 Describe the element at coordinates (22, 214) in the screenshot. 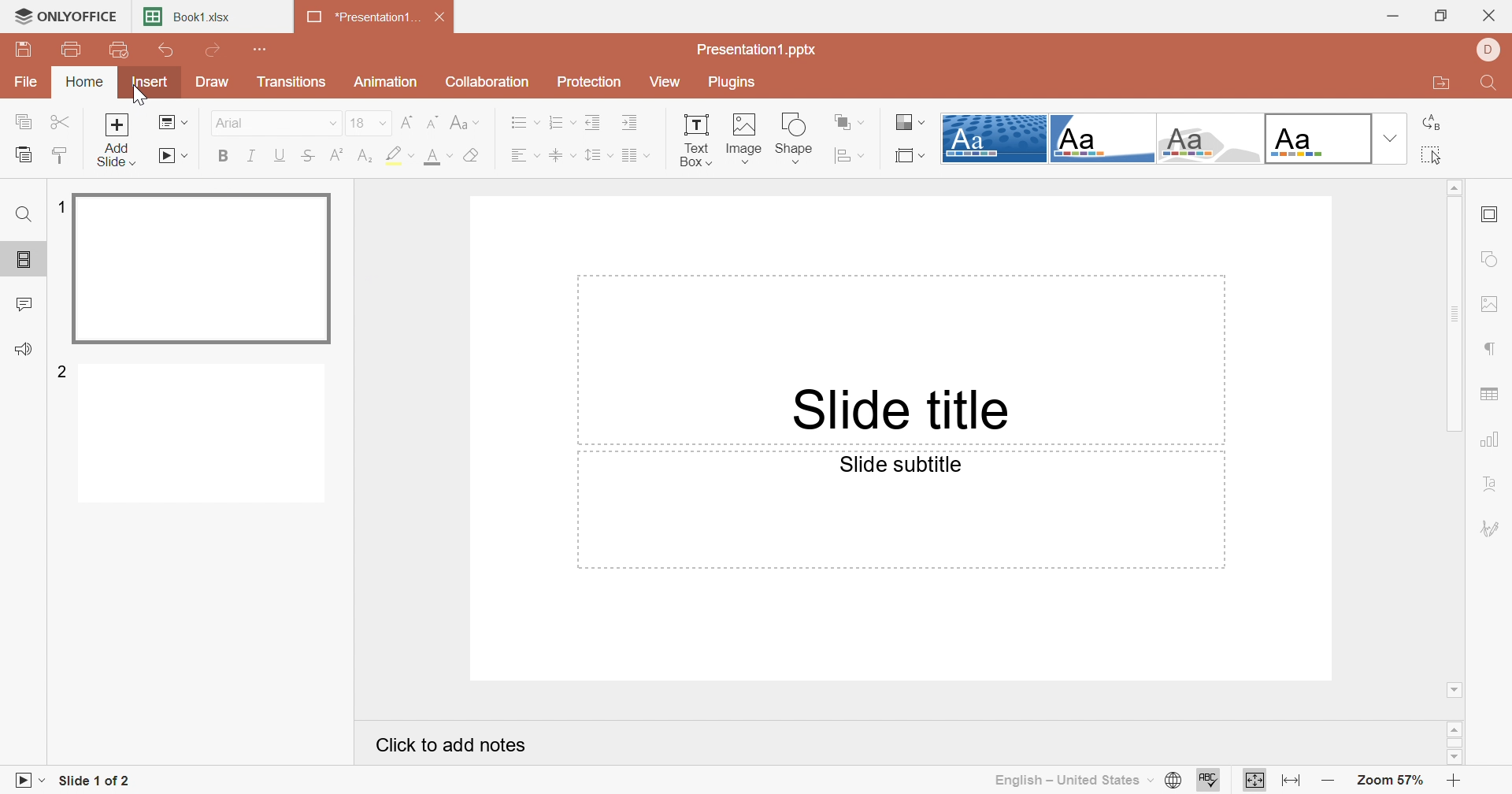

I see `Find` at that location.